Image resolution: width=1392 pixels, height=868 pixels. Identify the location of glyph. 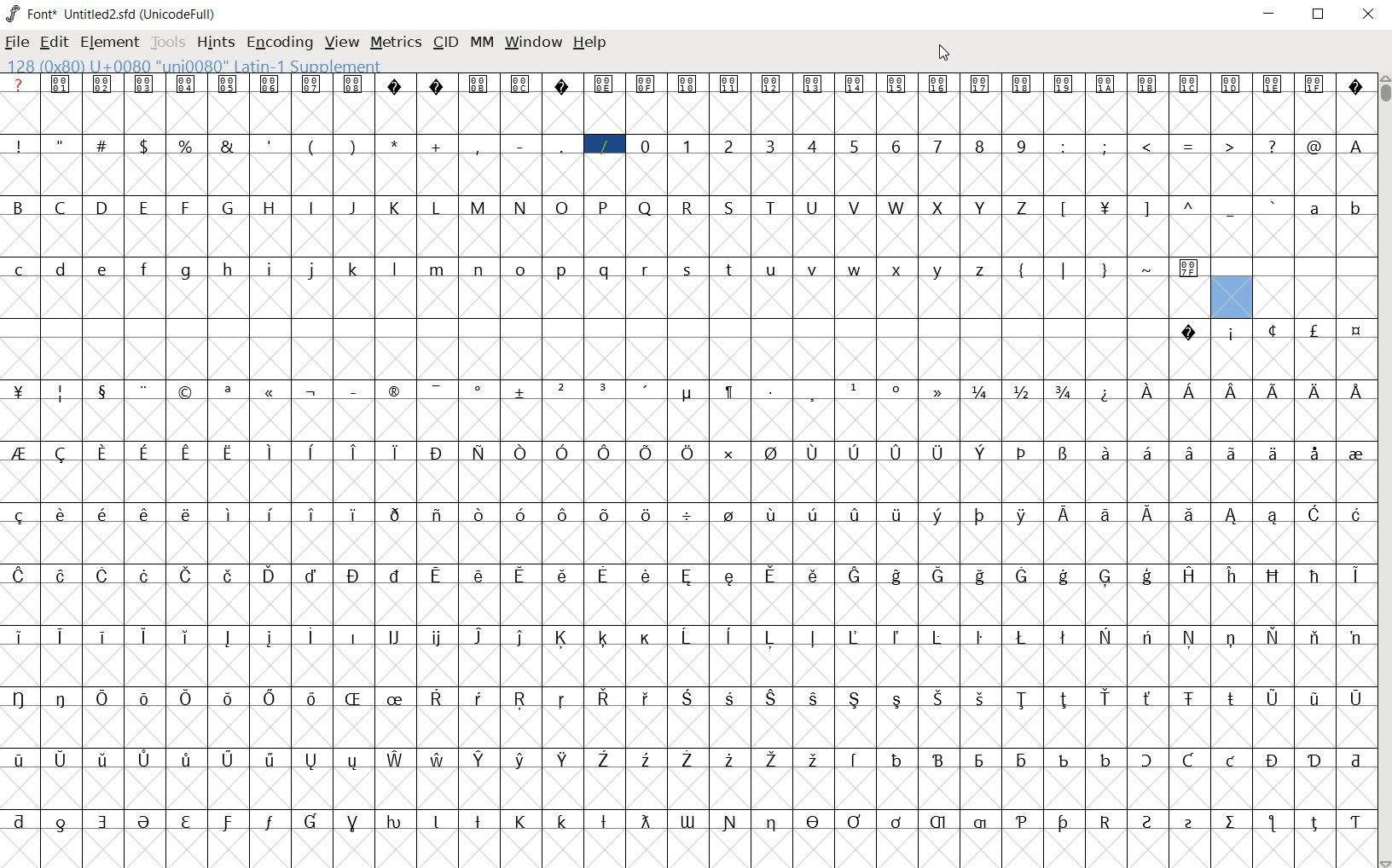
(19, 146).